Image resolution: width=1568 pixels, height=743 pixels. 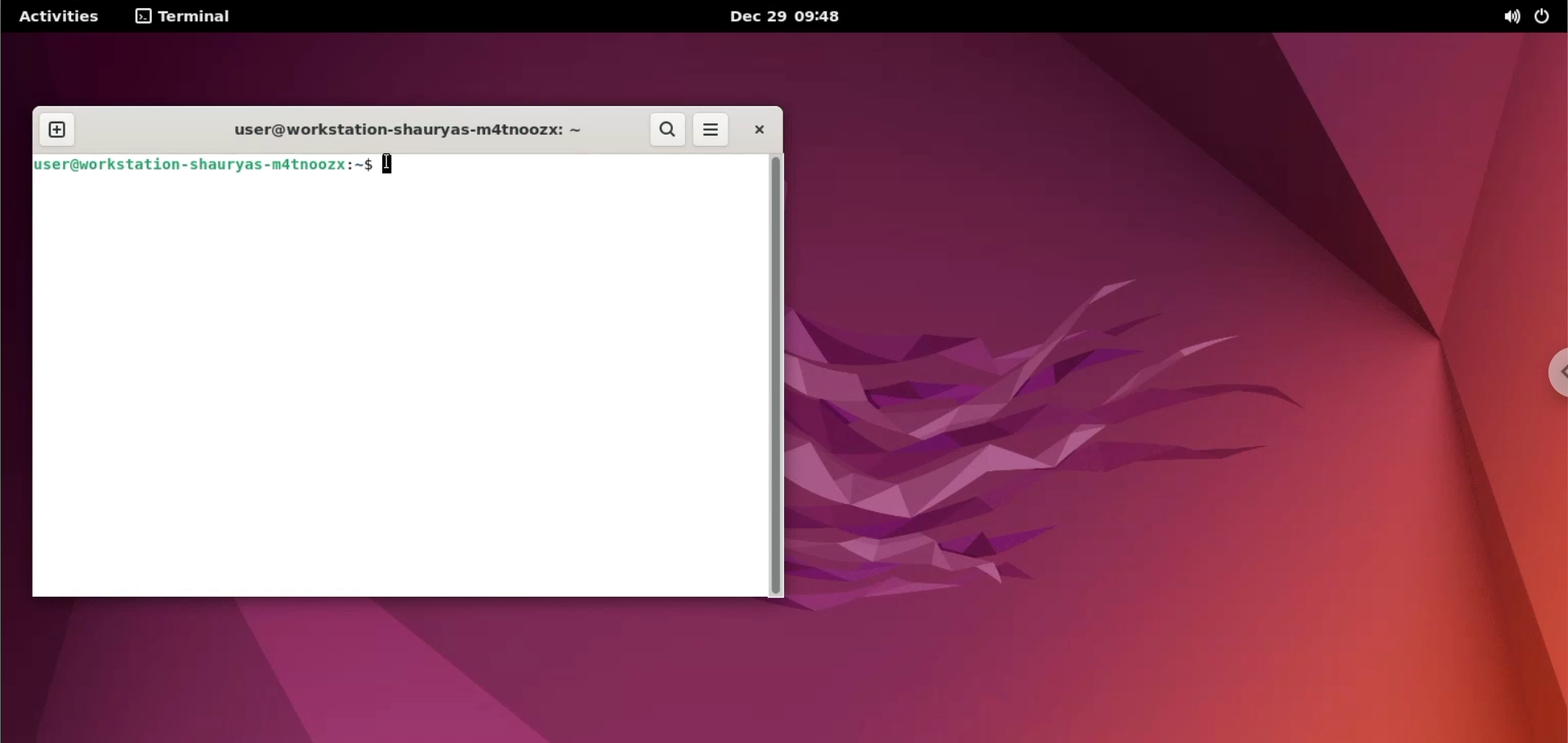 What do you see at coordinates (56, 130) in the screenshot?
I see `new tab` at bounding box center [56, 130].